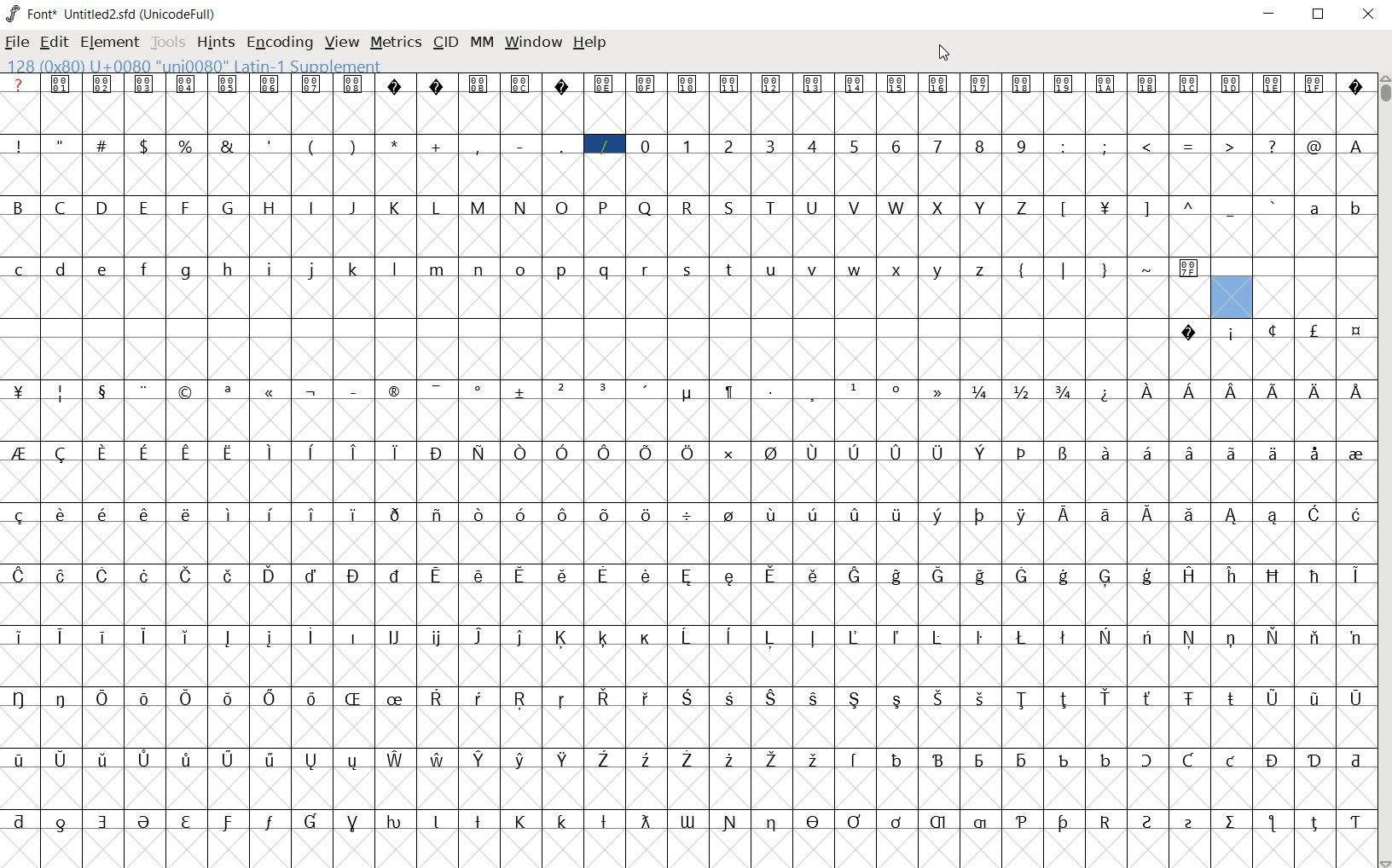 This screenshot has height=868, width=1392. What do you see at coordinates (1106, 452) in the screenshot?
I see `glyph` at bounding box center [1106, 452].